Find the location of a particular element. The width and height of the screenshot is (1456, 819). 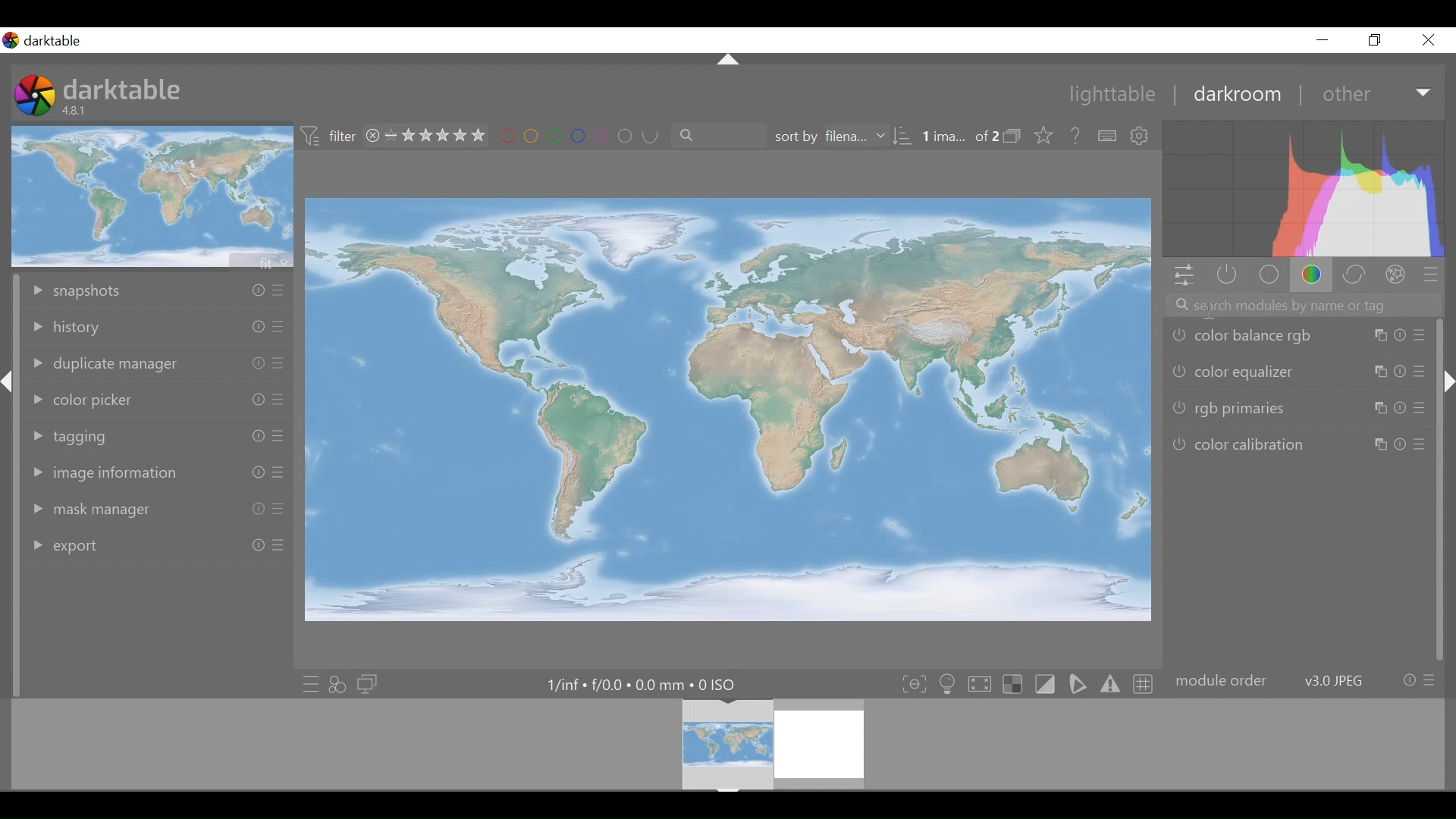

darktable is located at coordinates (122, 89).